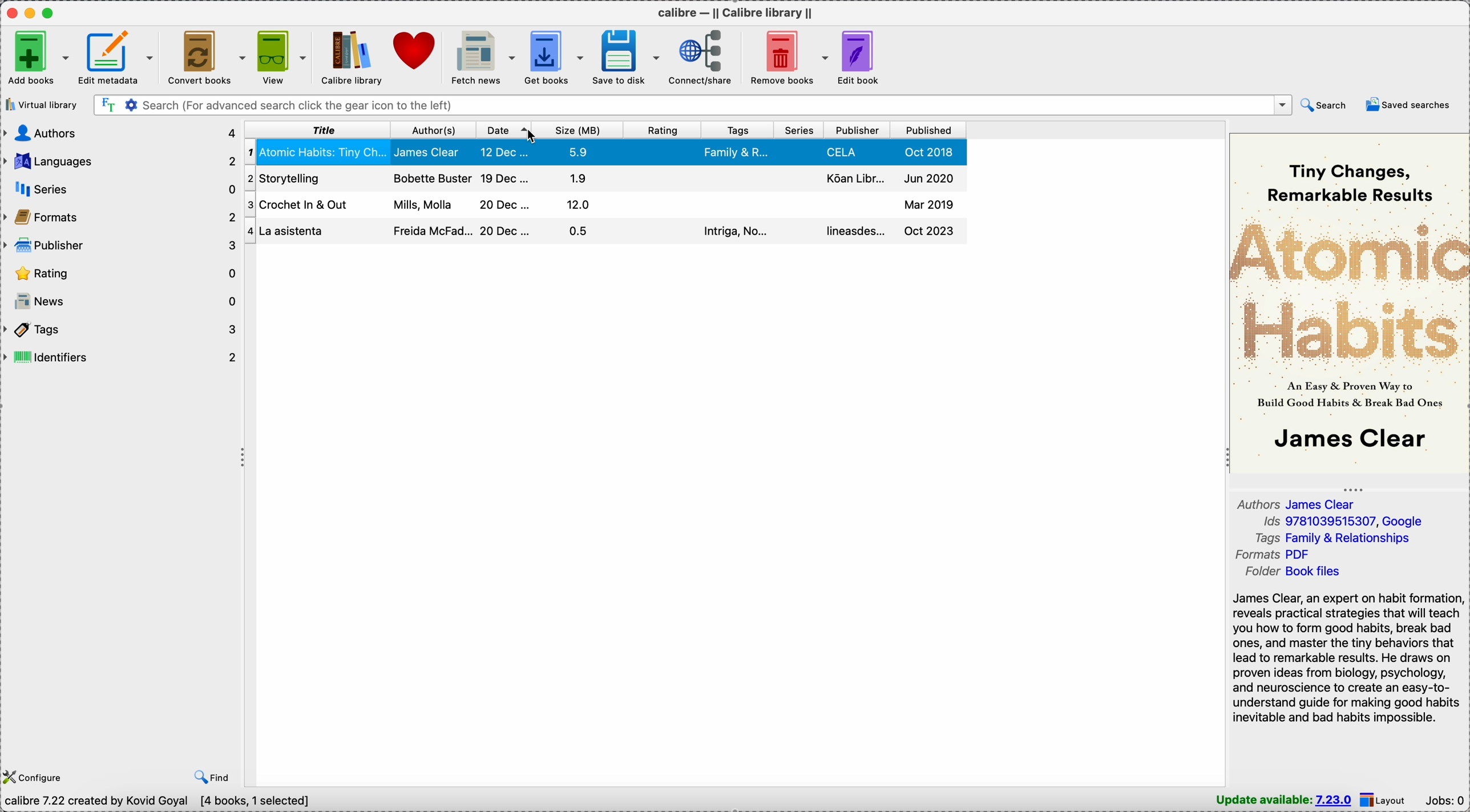 Image resolution: width=1470 pixels, height=812 pixels. What do you see at coordinates (604, 178) in the screenshot?
I see `Crochet In & Out book details` at bounding box center [604, 178].